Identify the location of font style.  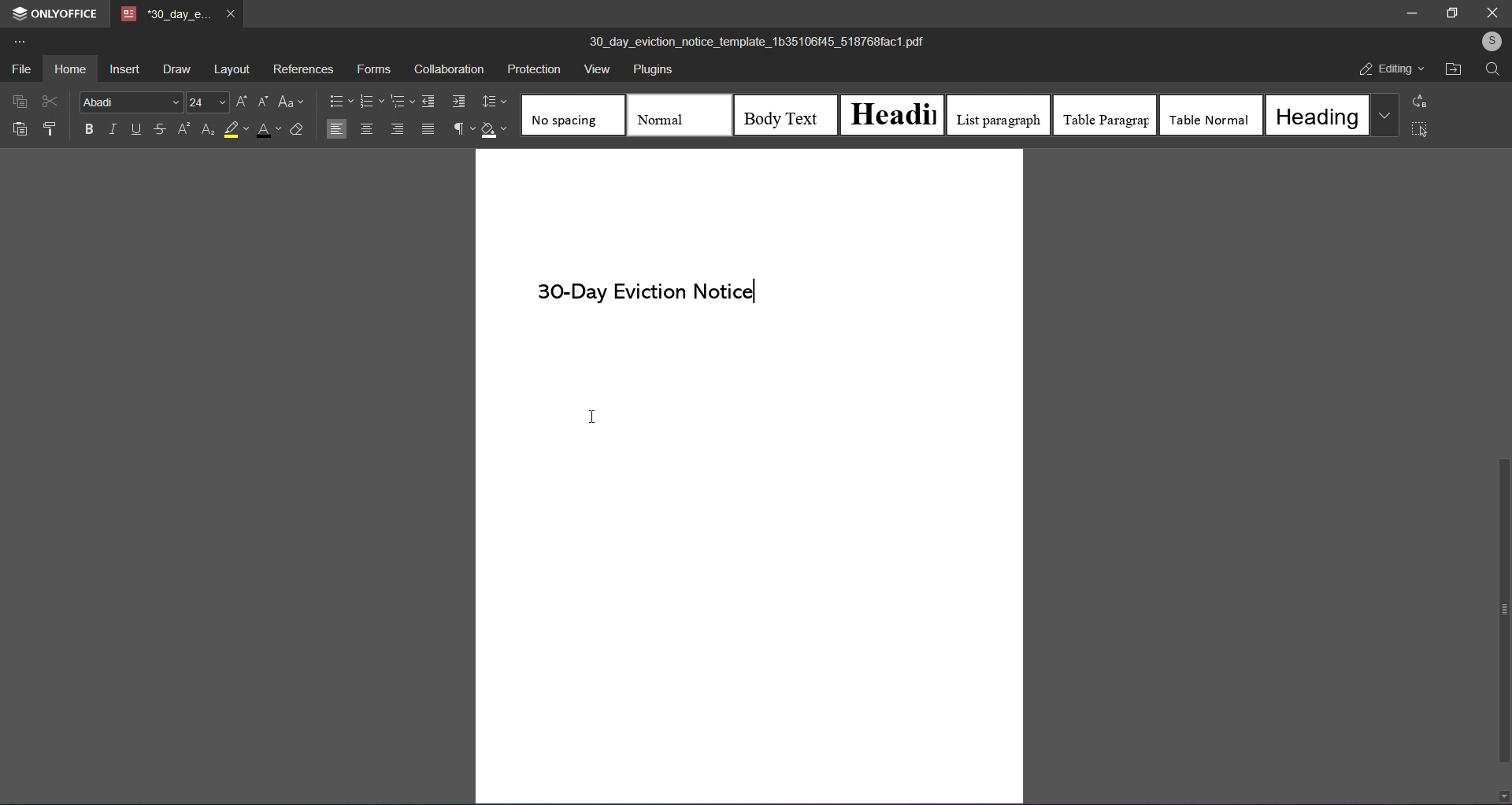
(128, 103).